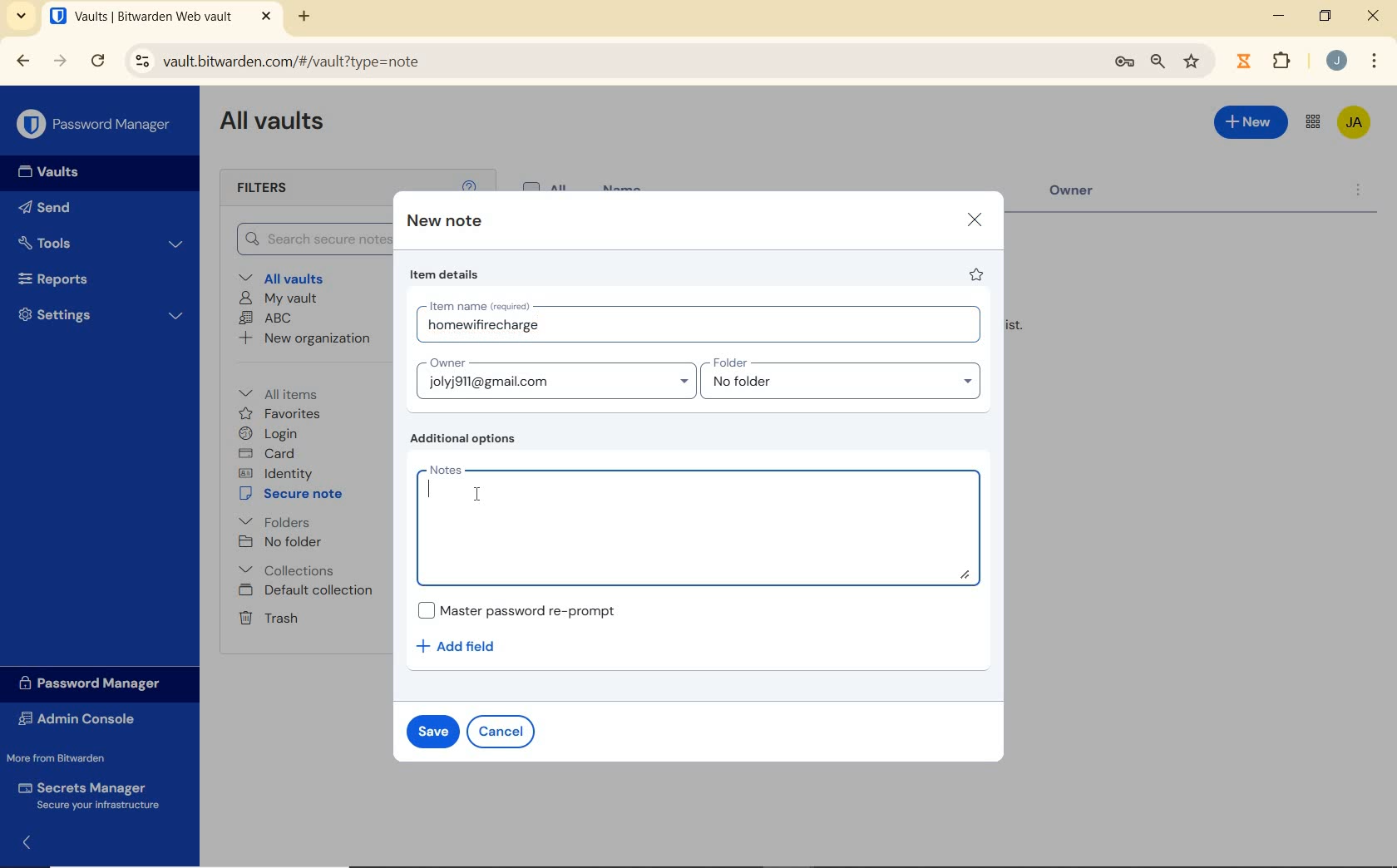 This screenshot has width=1397, height=868. What do you see at coordinates (268, 618) in the screenshot?
I see `Trash` at bounding box center [268, 618].